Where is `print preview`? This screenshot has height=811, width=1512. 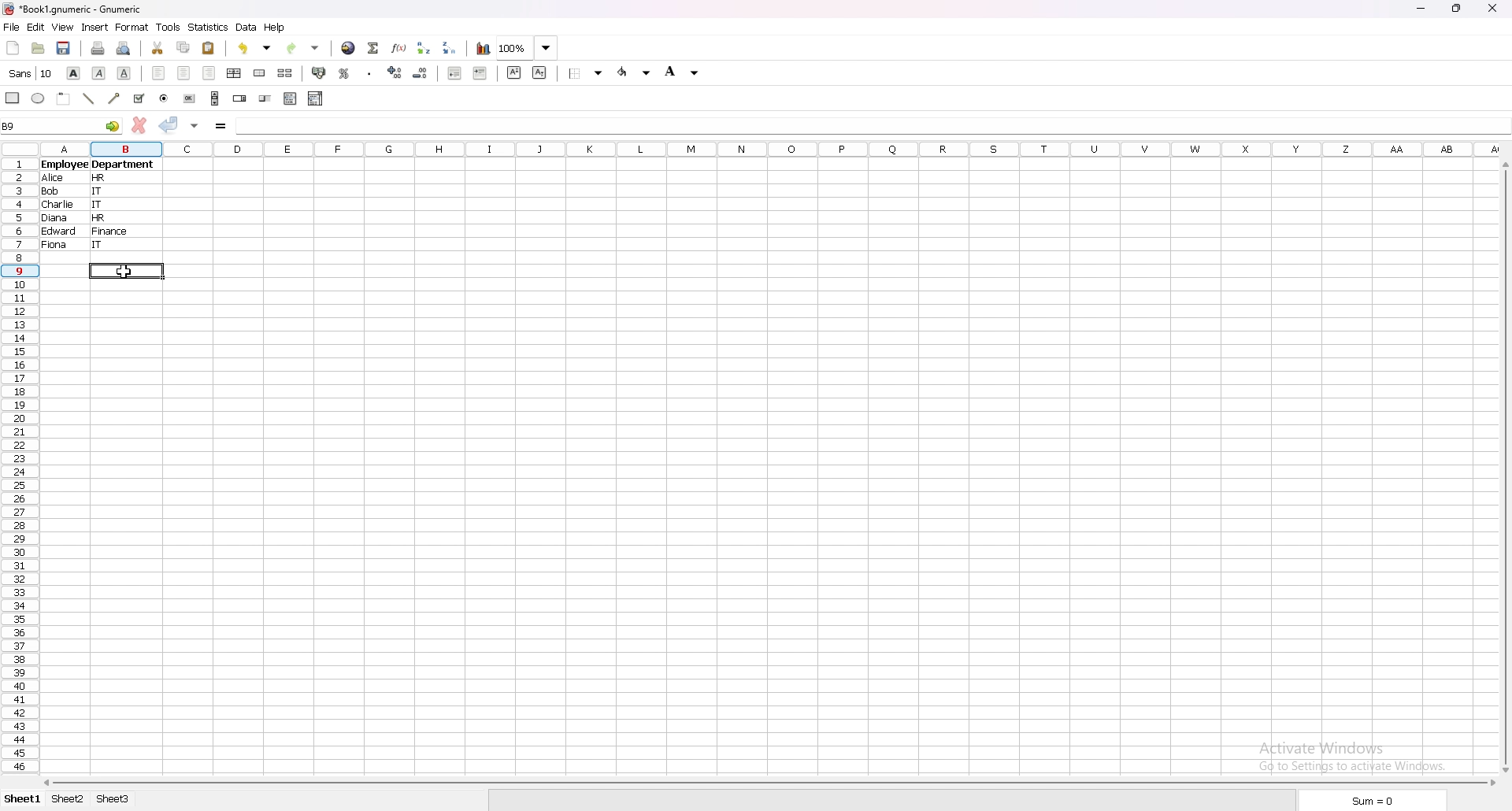 print preview is located at coordinates (124, 48).